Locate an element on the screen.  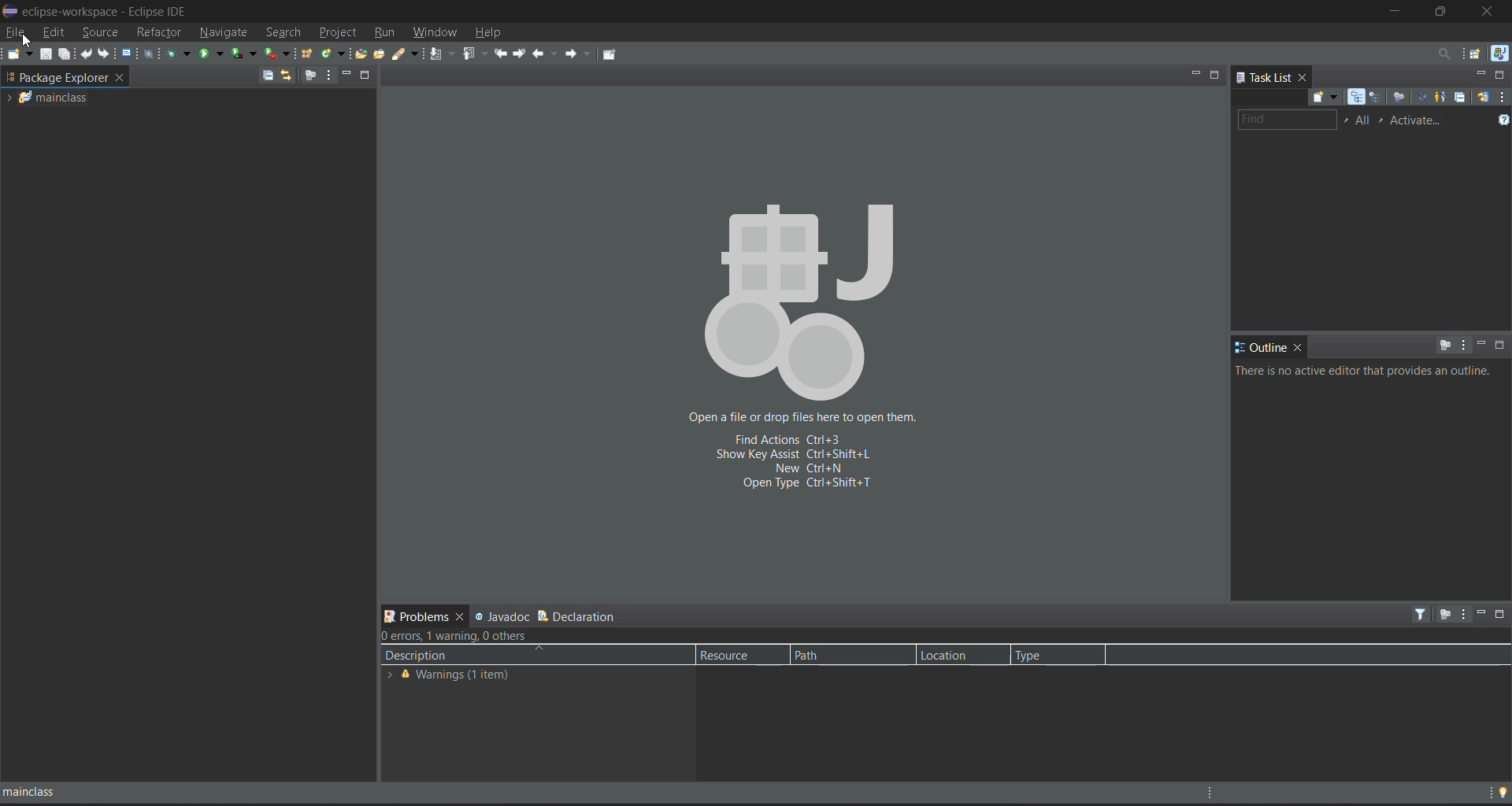
run is located at coordinates (212, 54).